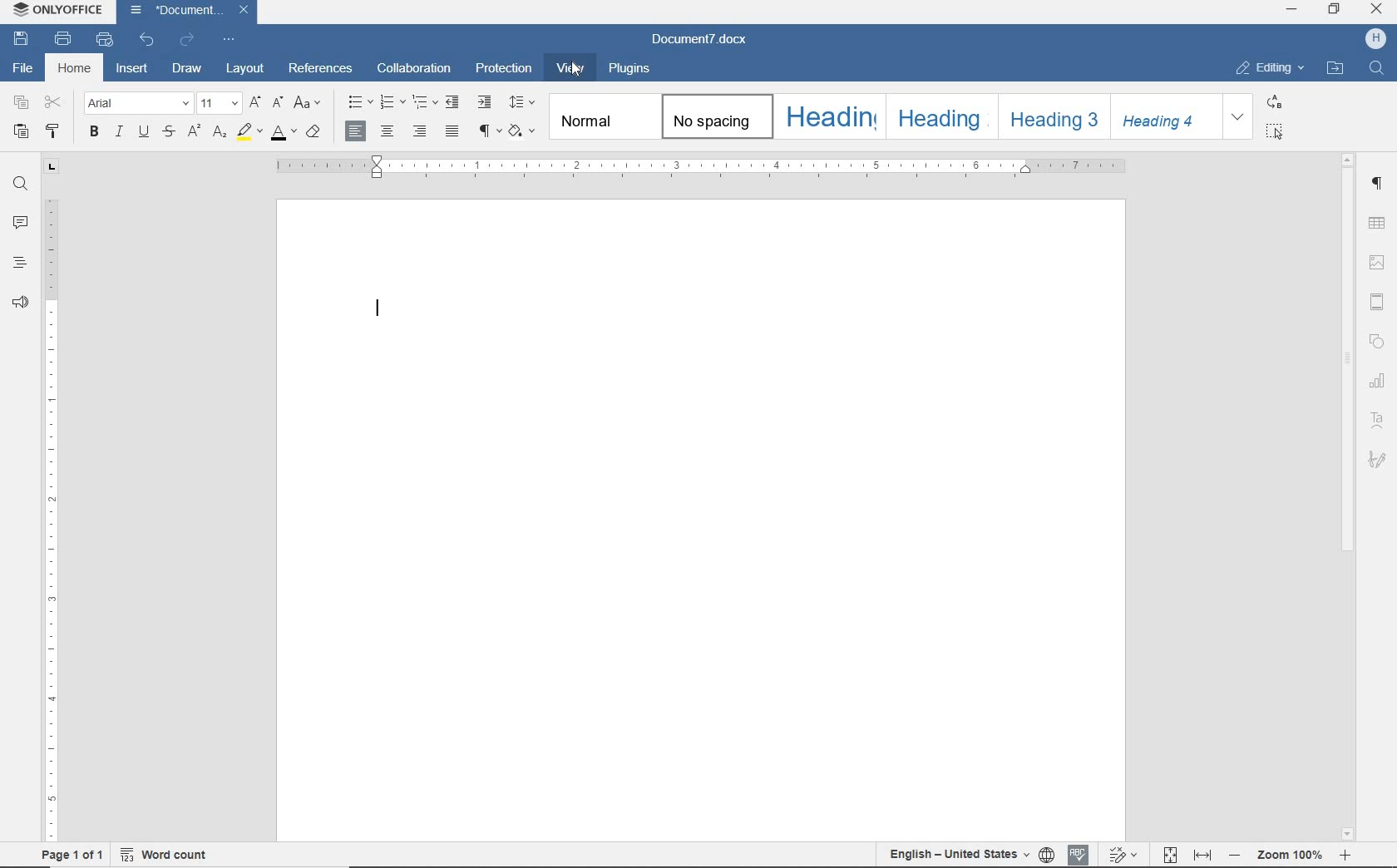  Describe the element at coordinates (321, 67) in the screenshot. I see `REFERENCES` at that location.